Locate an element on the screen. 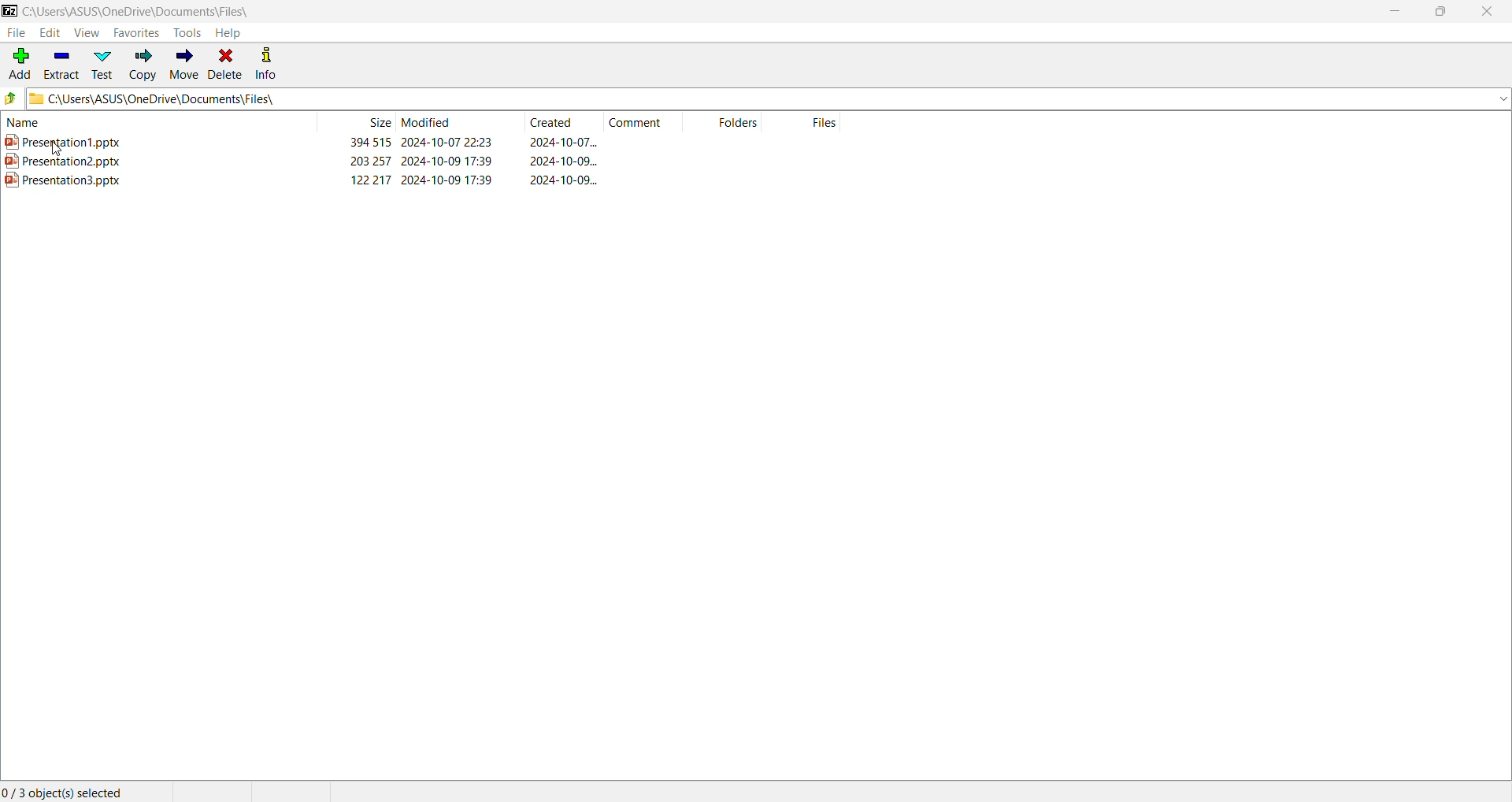 The image size is (1512, 802). Close is located at coordinates (1487, 13).